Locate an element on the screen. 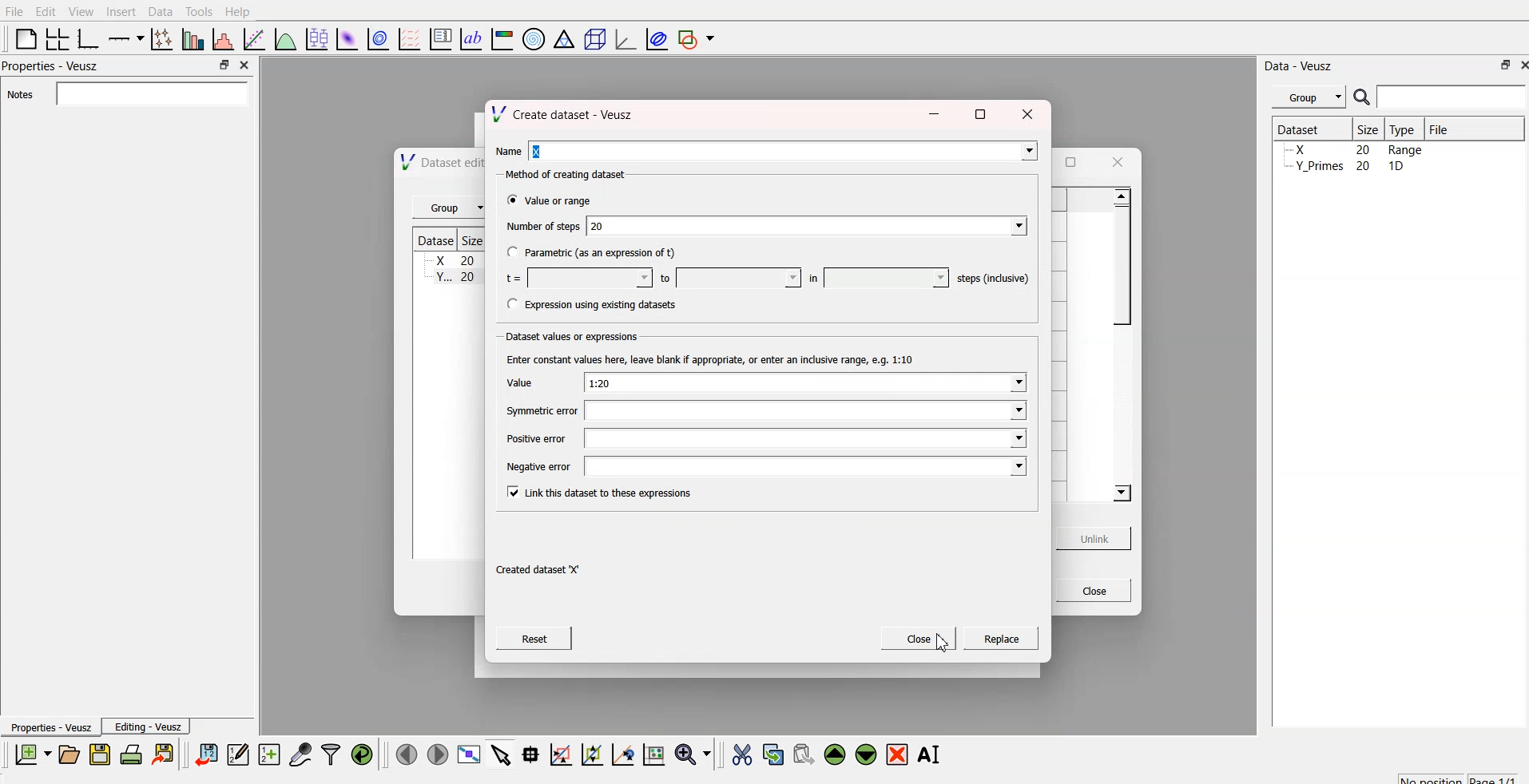  no position page 1/1 is located at coordinates (1450, 776).